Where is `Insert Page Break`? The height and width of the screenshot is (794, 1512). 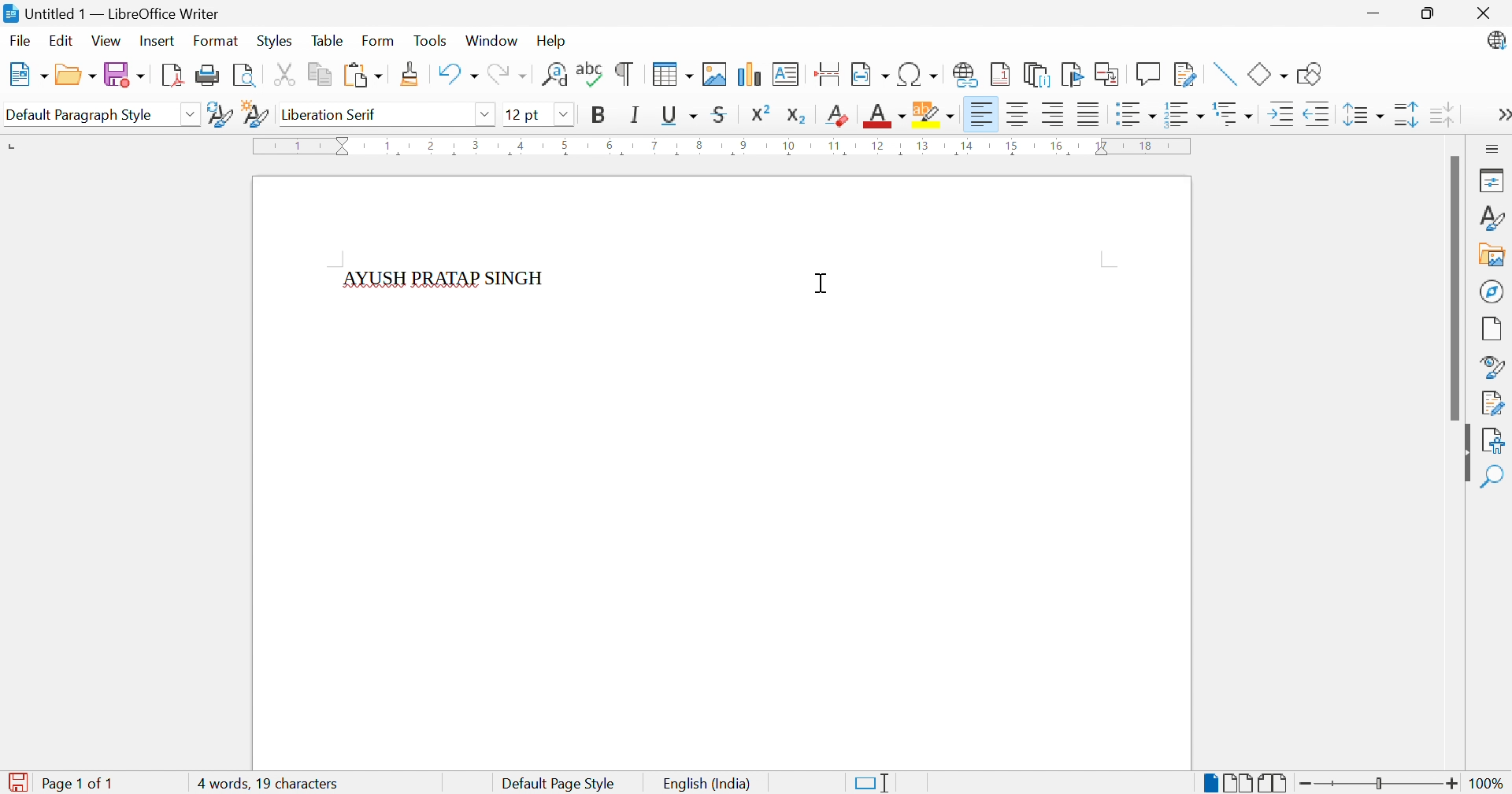 Insert Page Break is located at coordinates (828, 74).